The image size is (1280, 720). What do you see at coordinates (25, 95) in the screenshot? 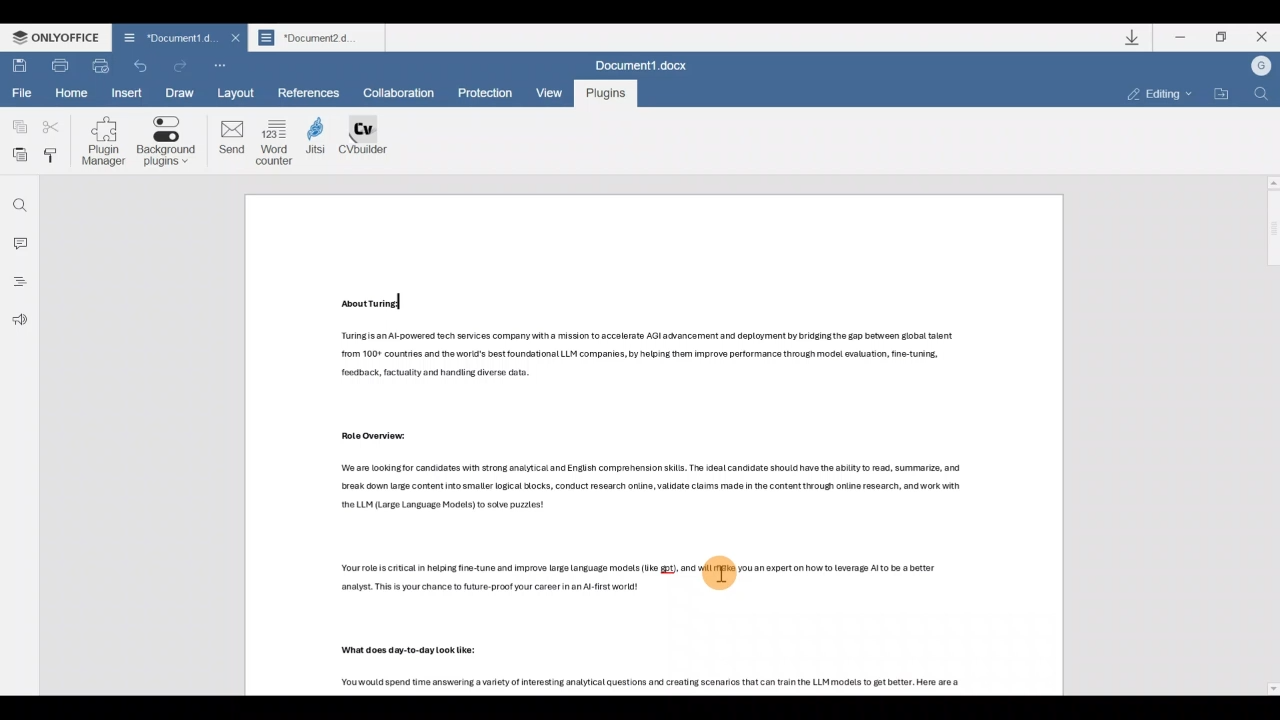
I see `File` at bounding box center [25, 95].